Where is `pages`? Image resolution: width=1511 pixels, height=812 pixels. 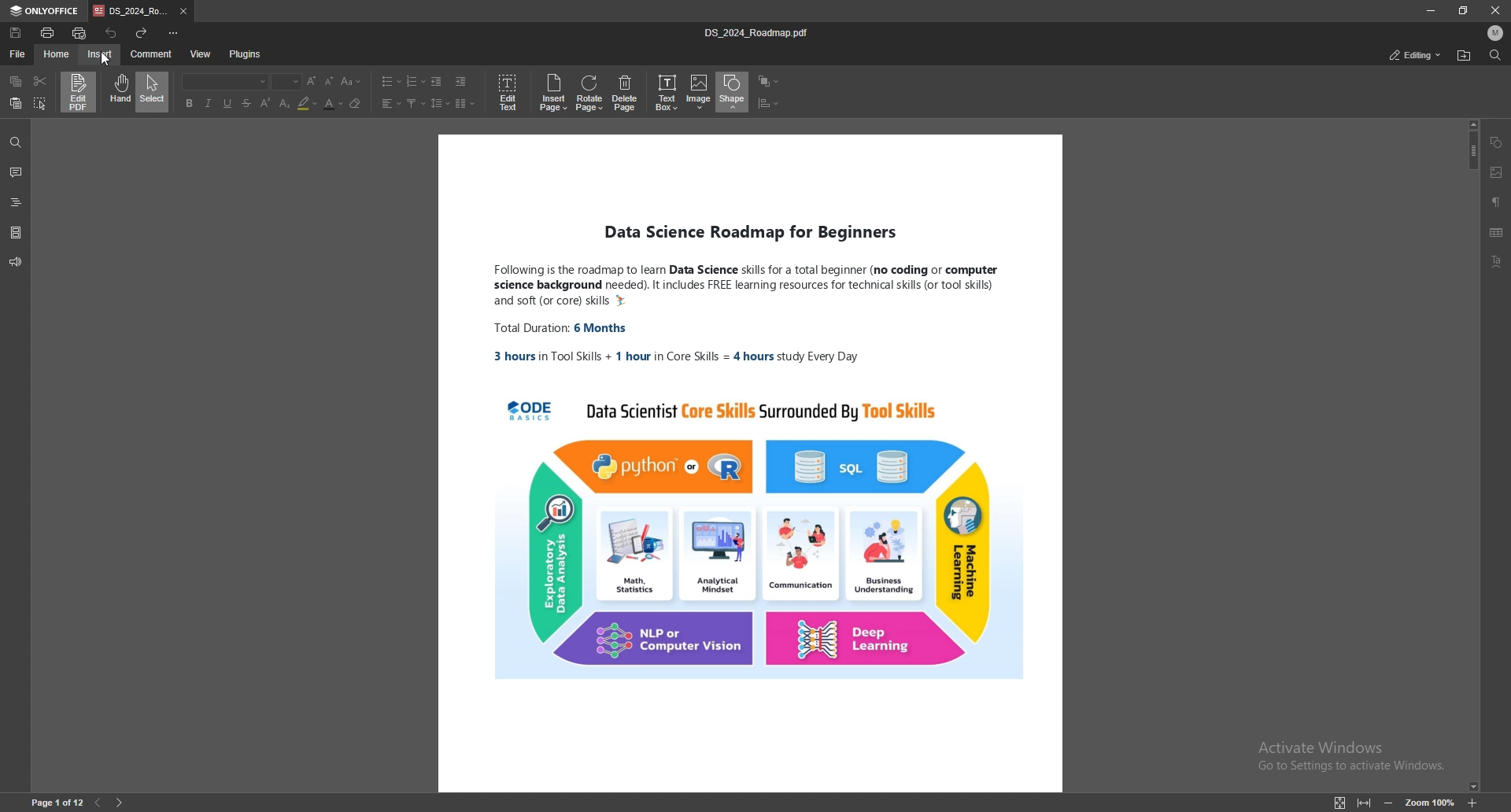 pages is located at coordinates (16, 231).